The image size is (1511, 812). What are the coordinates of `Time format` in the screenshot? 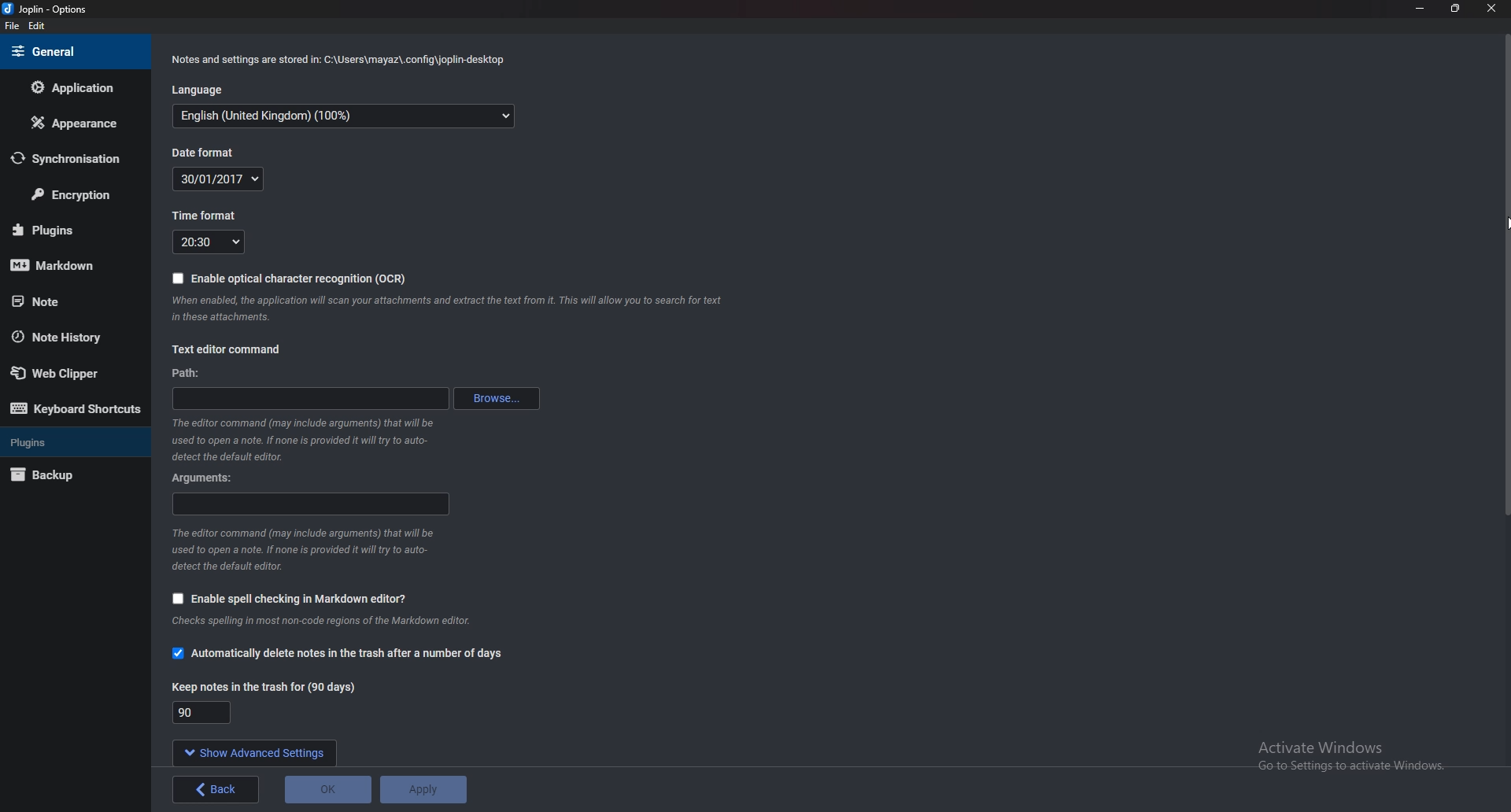 It's located at (216, 214).